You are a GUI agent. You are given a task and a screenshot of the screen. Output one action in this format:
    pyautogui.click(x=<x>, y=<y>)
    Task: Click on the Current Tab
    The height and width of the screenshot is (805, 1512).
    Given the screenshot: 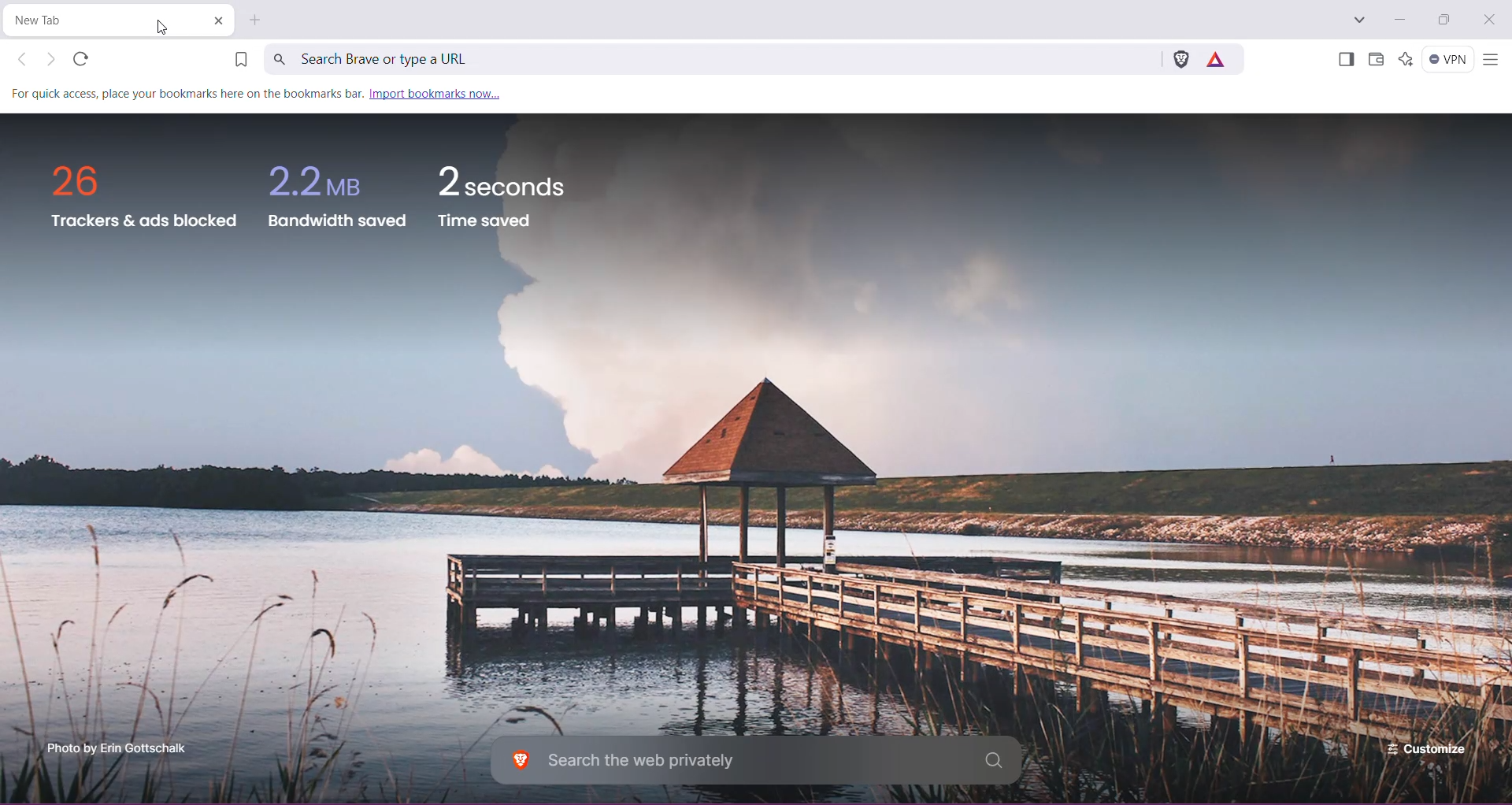 What is the action you would take?
    pyautogui.click(x=63, y=20)
    